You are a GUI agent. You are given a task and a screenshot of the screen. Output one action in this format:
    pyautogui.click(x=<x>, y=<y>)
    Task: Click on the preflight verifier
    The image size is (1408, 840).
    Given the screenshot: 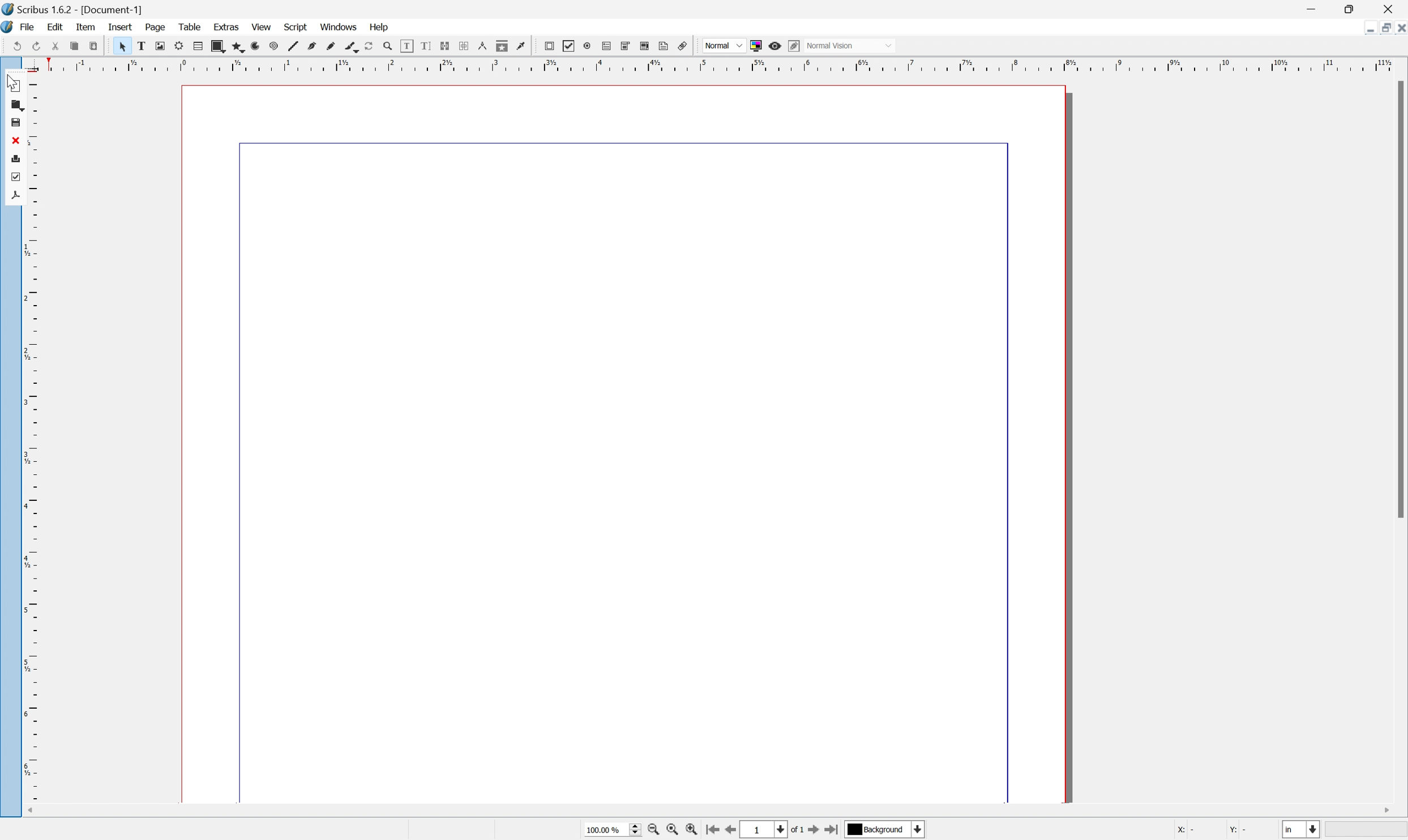 What is the action you would take?
    pyautogui.click(x=237, y=46)
    